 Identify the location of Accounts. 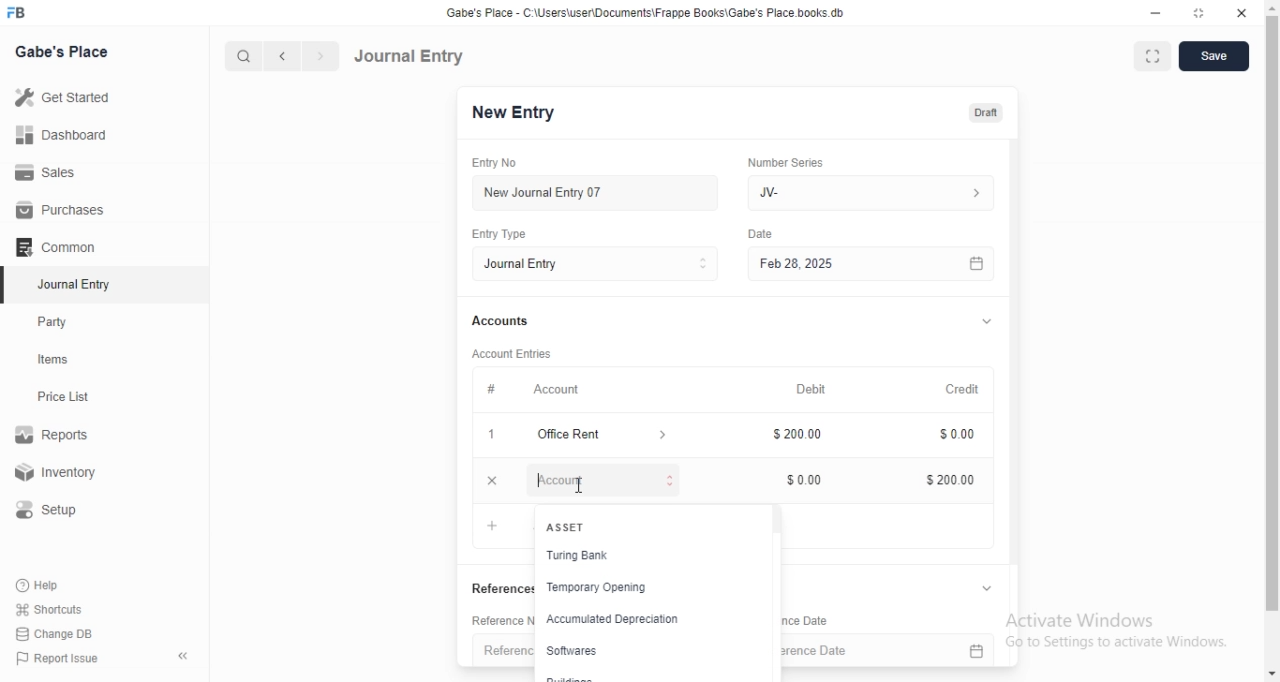
(506, 321).